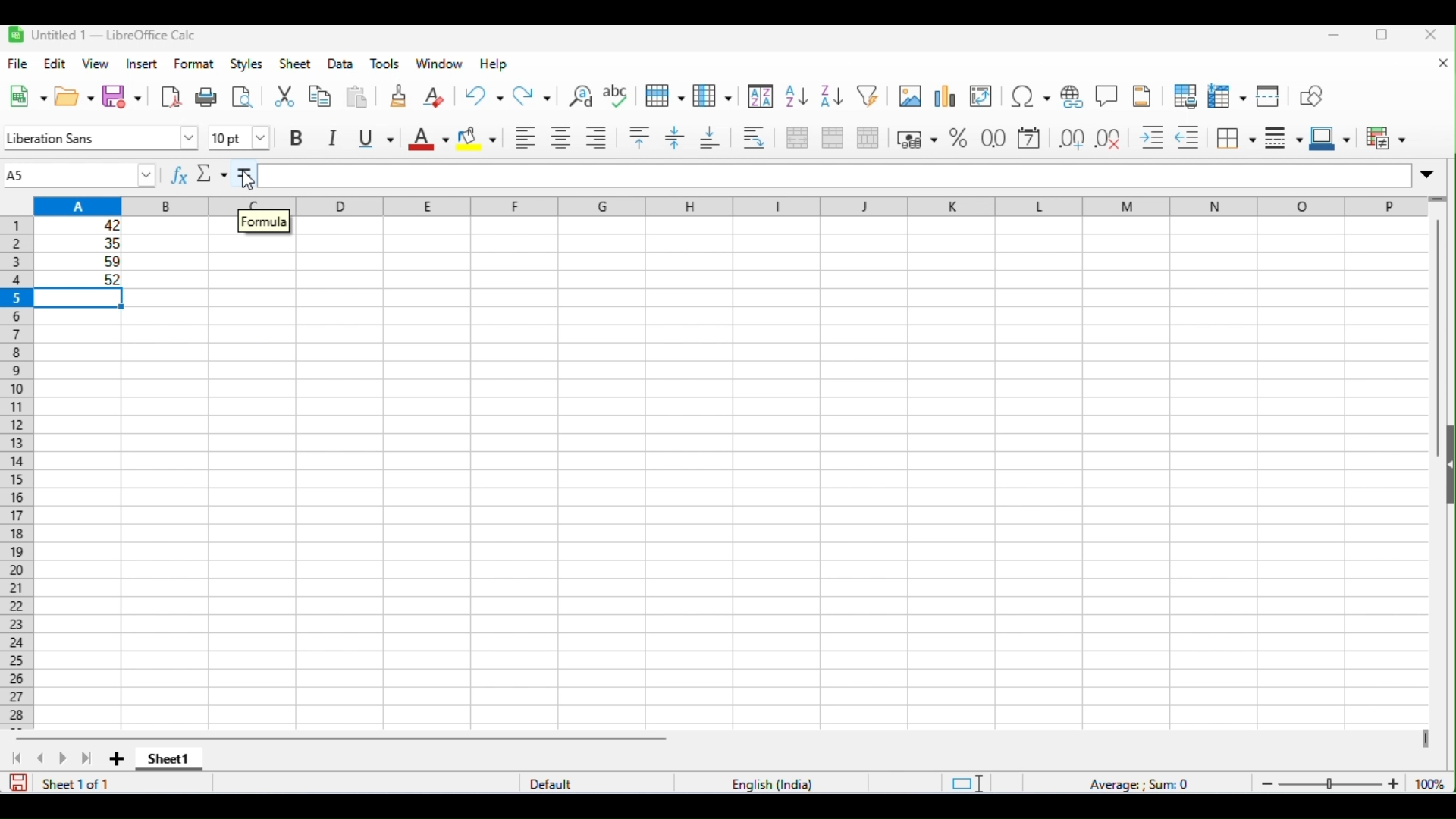 The width and height of the screenshot is (1456, 819). Describe the element at coordinates (213, 174) in the screenshot. I see `select function` at that location.